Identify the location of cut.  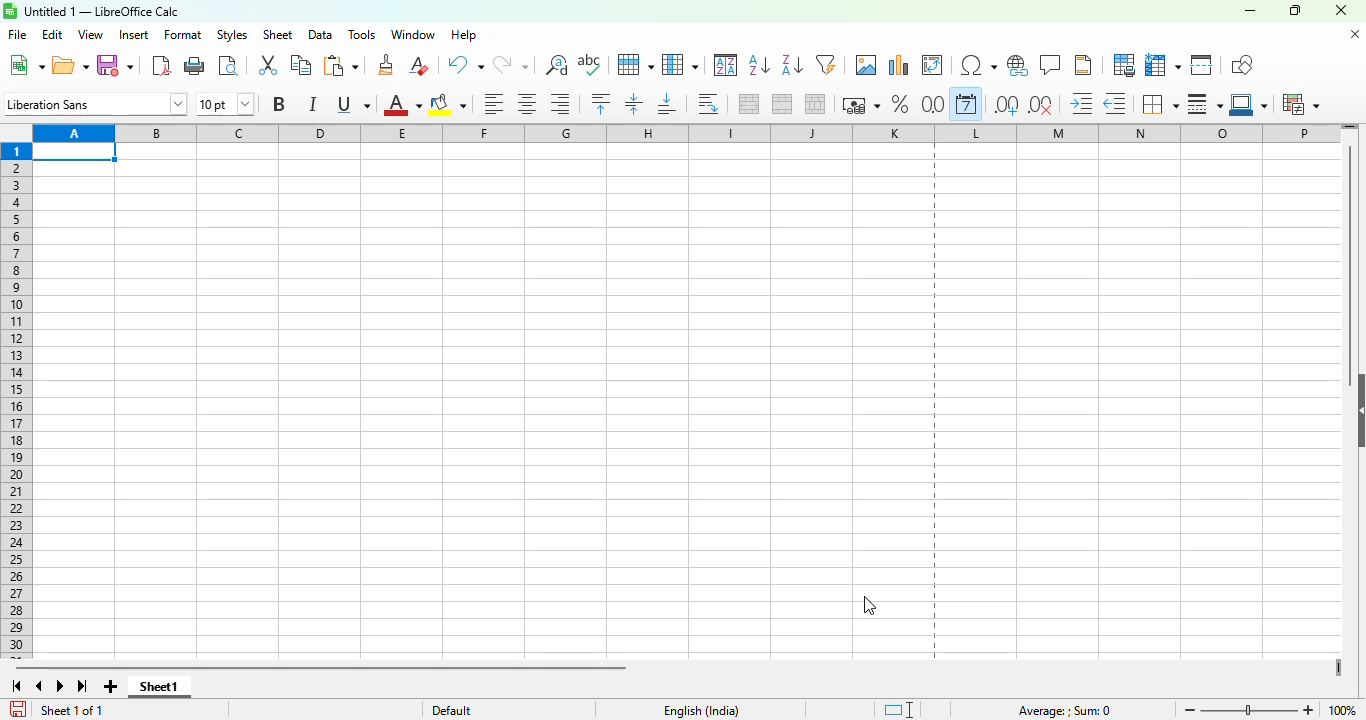
(268, 64).